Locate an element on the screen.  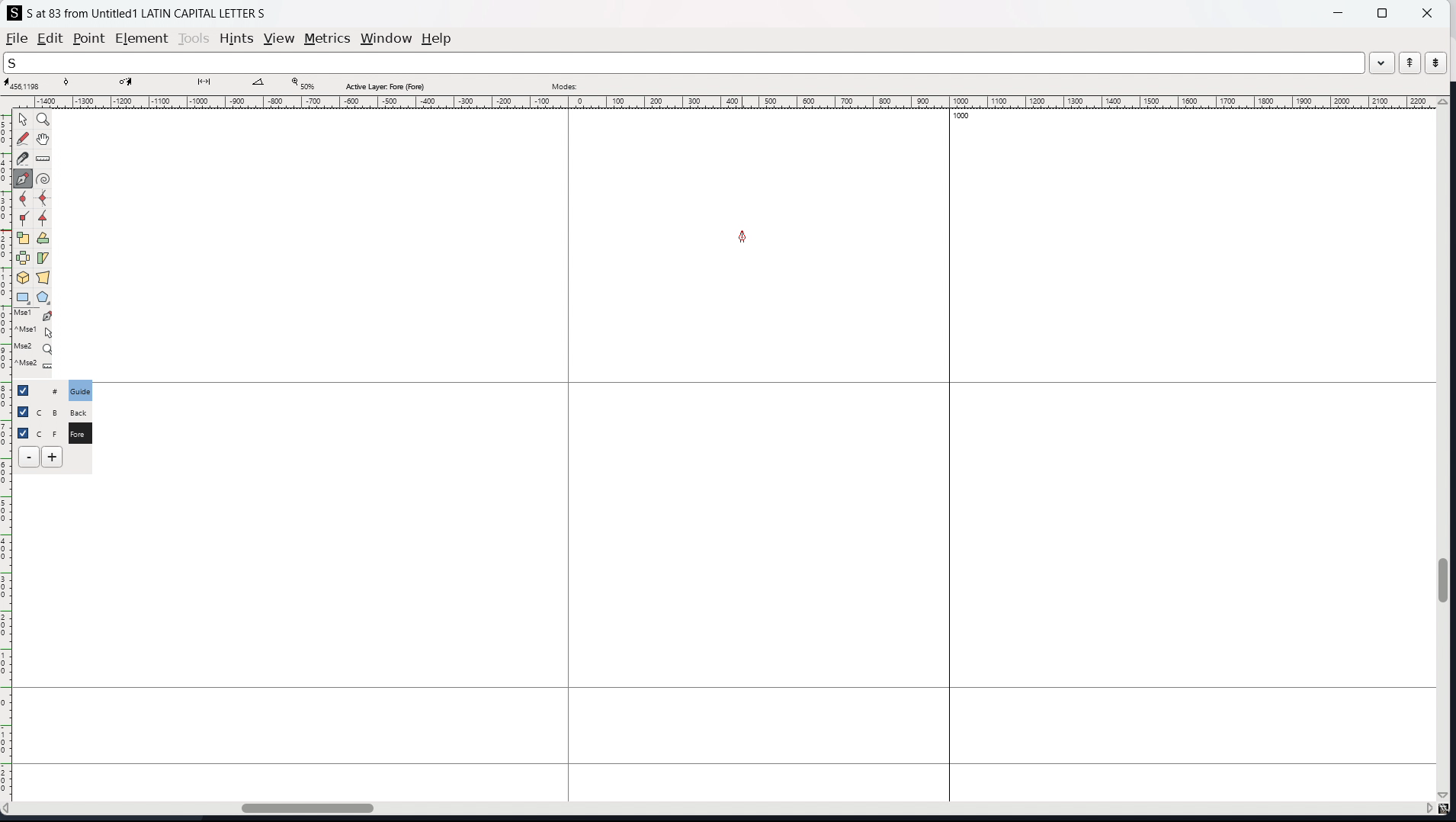
^Mse1 is located at coordinates (34, 332).